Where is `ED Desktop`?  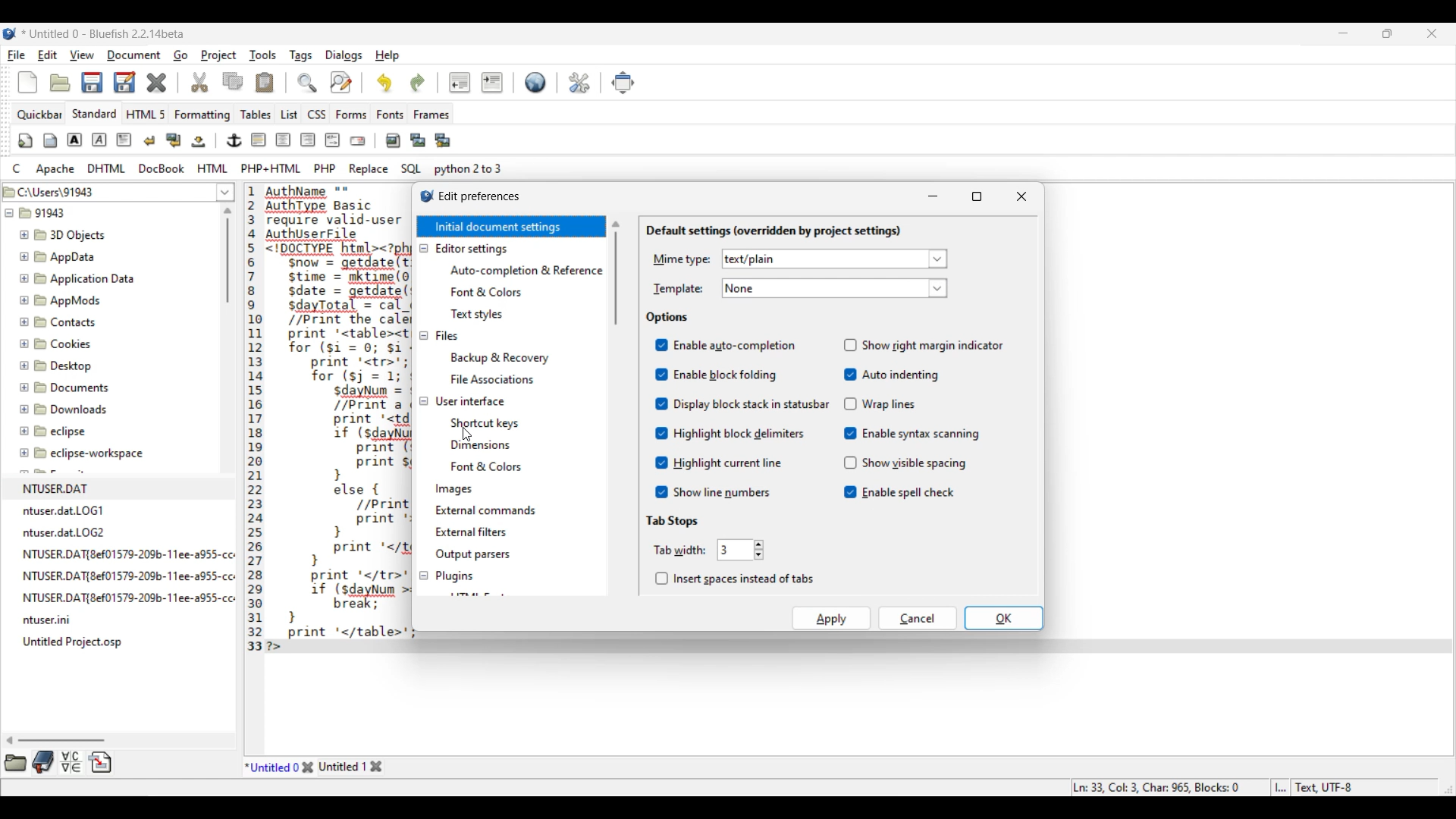 ED Desktop is located at coordinates (62, 369).